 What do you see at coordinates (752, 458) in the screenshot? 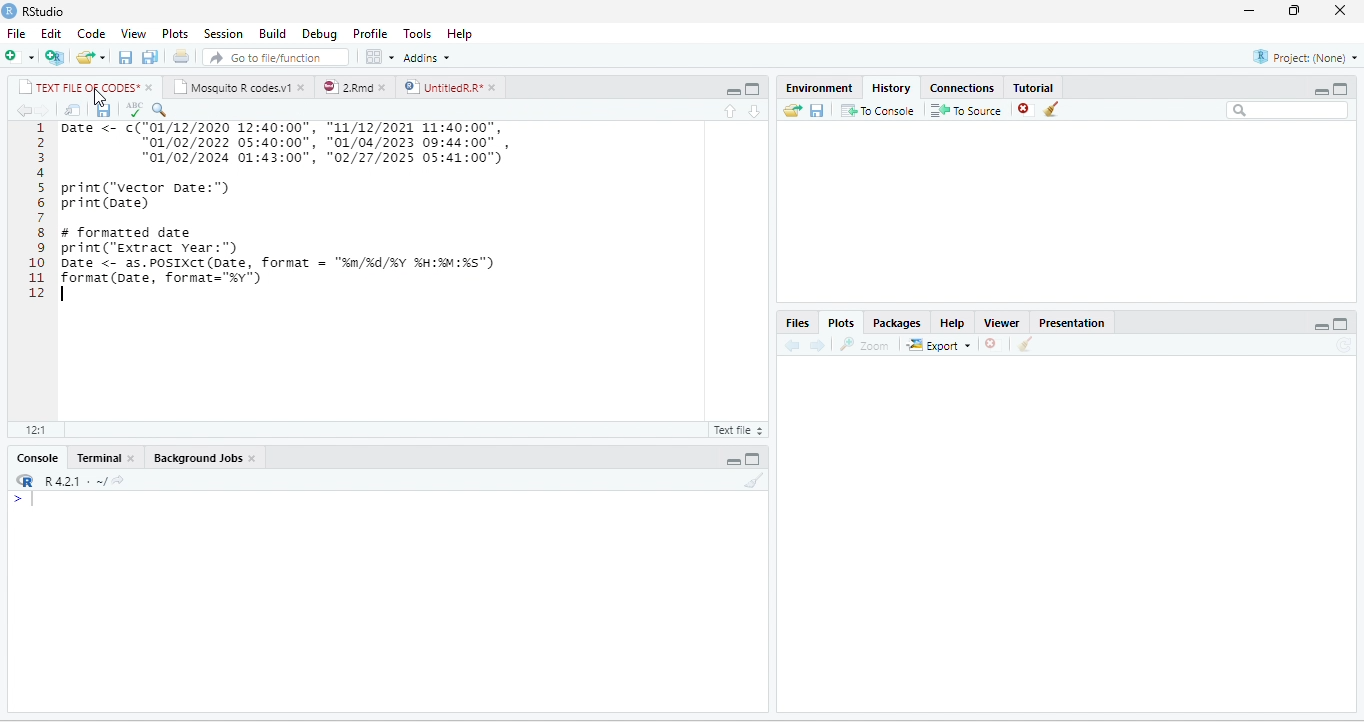
I see `maximize` at bounding box center [752, 458].